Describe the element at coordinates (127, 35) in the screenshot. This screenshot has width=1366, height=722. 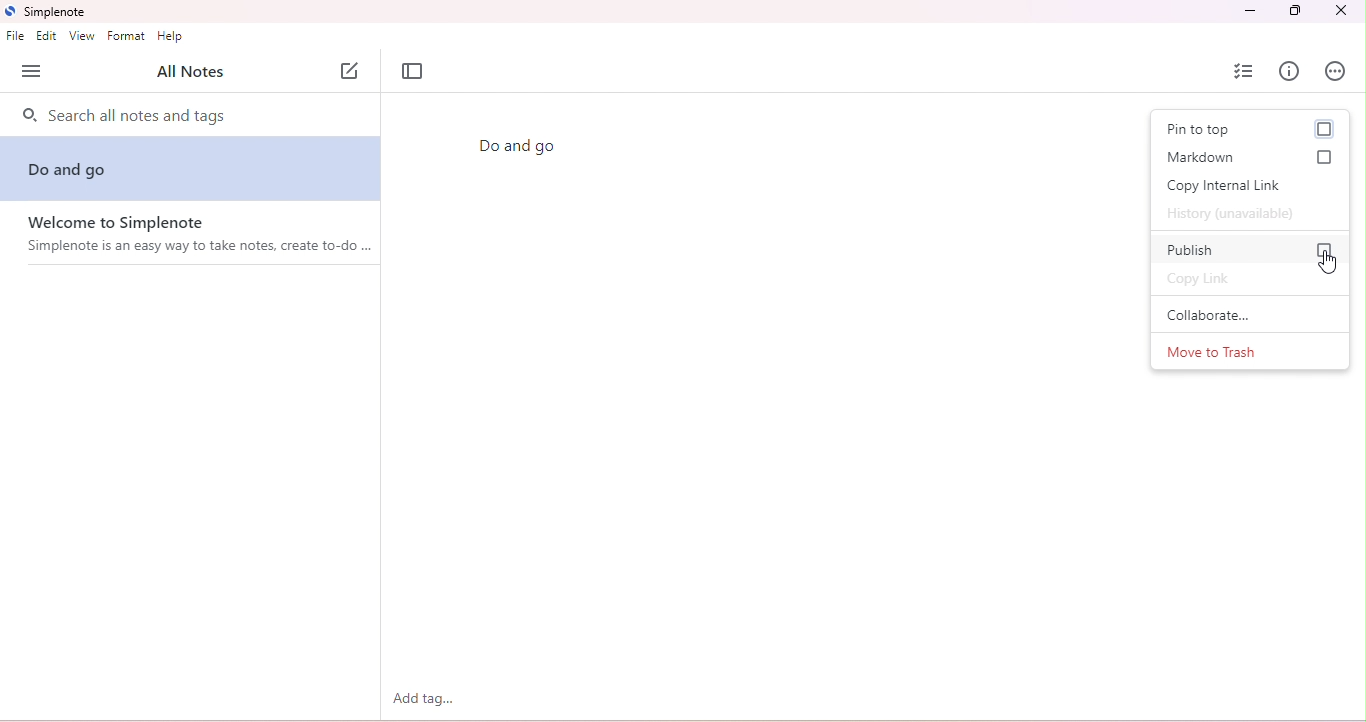
I see `format` at that location.